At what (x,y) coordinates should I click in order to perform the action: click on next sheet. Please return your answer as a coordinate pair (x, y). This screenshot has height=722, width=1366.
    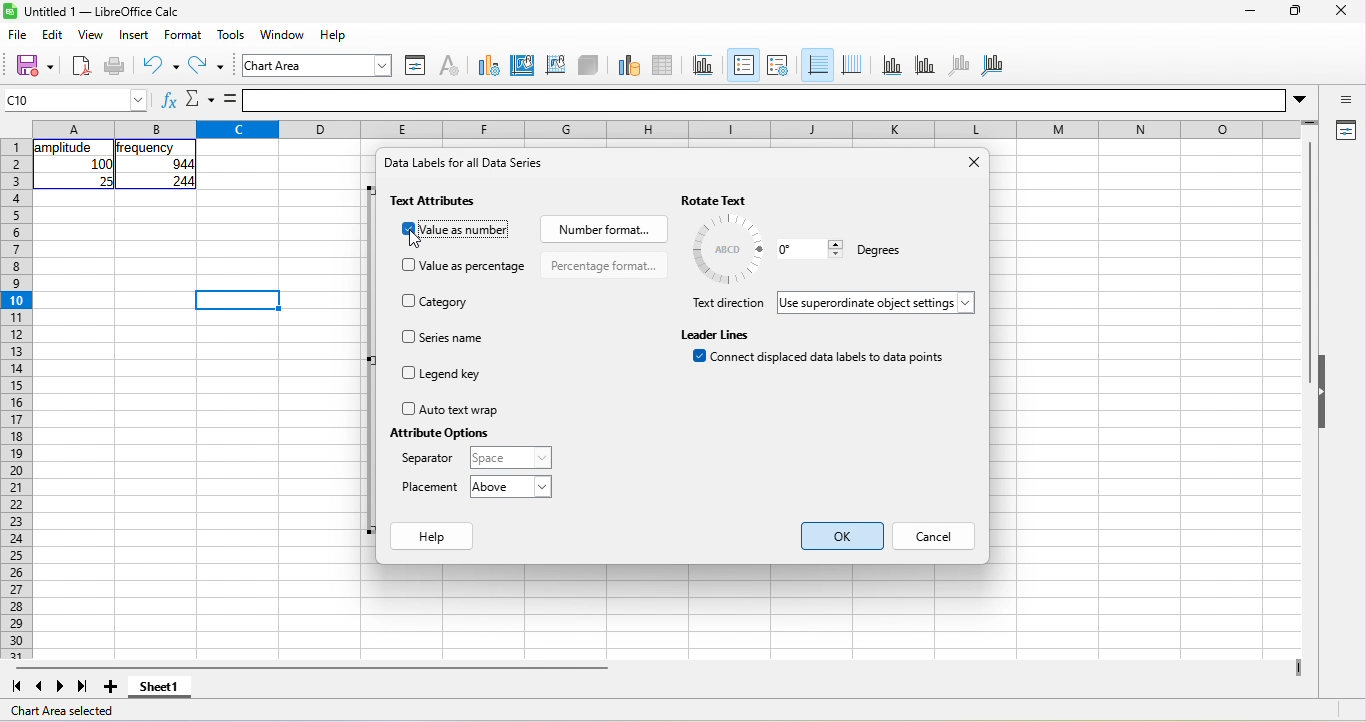
    Looking at the image, I should click on (64, 686).